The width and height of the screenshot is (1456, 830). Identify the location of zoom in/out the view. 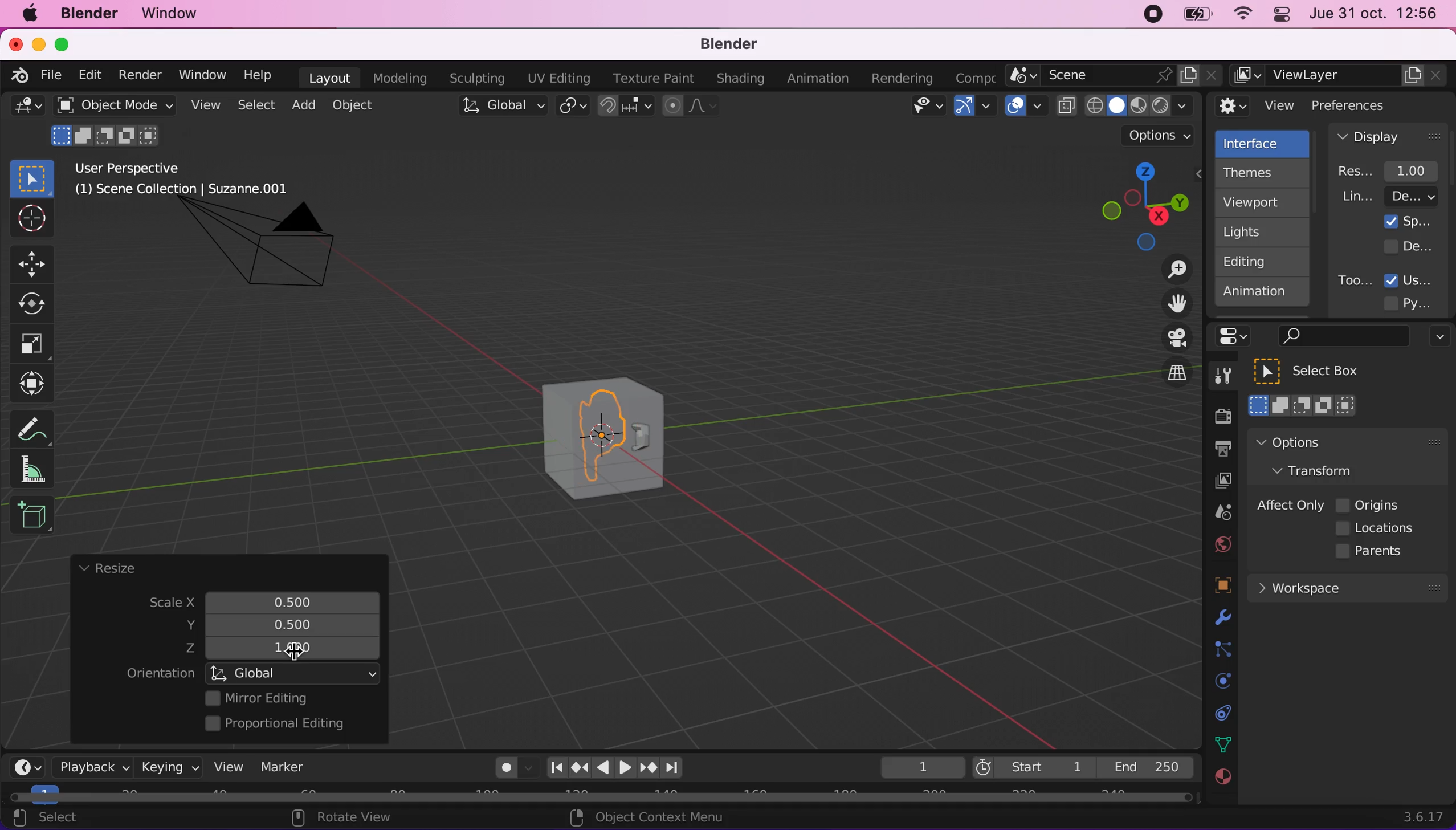
(1171, 269).